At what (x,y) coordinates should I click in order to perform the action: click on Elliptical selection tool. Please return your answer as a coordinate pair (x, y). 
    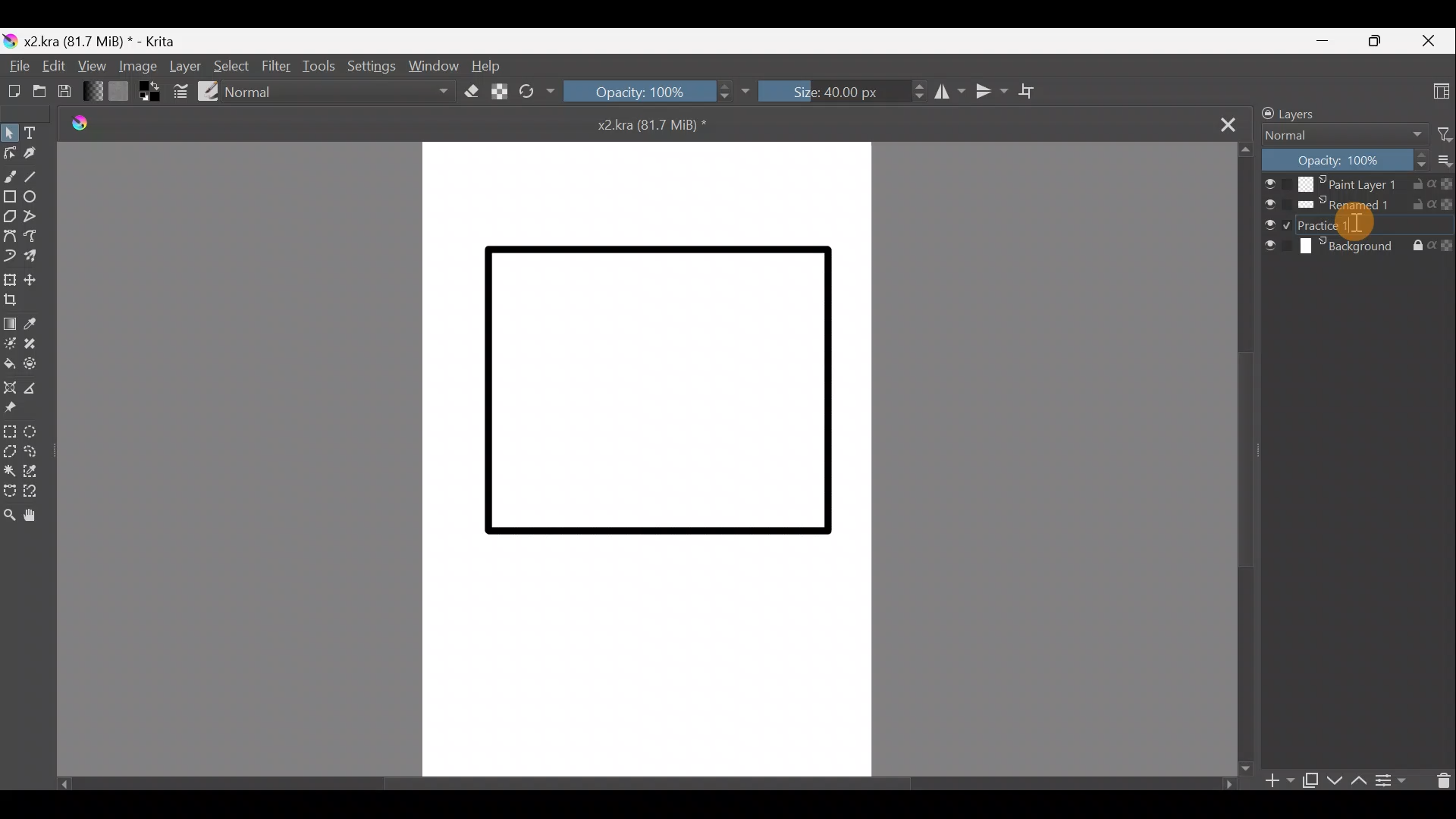
    Looking at the image, I should click on (34, 431).